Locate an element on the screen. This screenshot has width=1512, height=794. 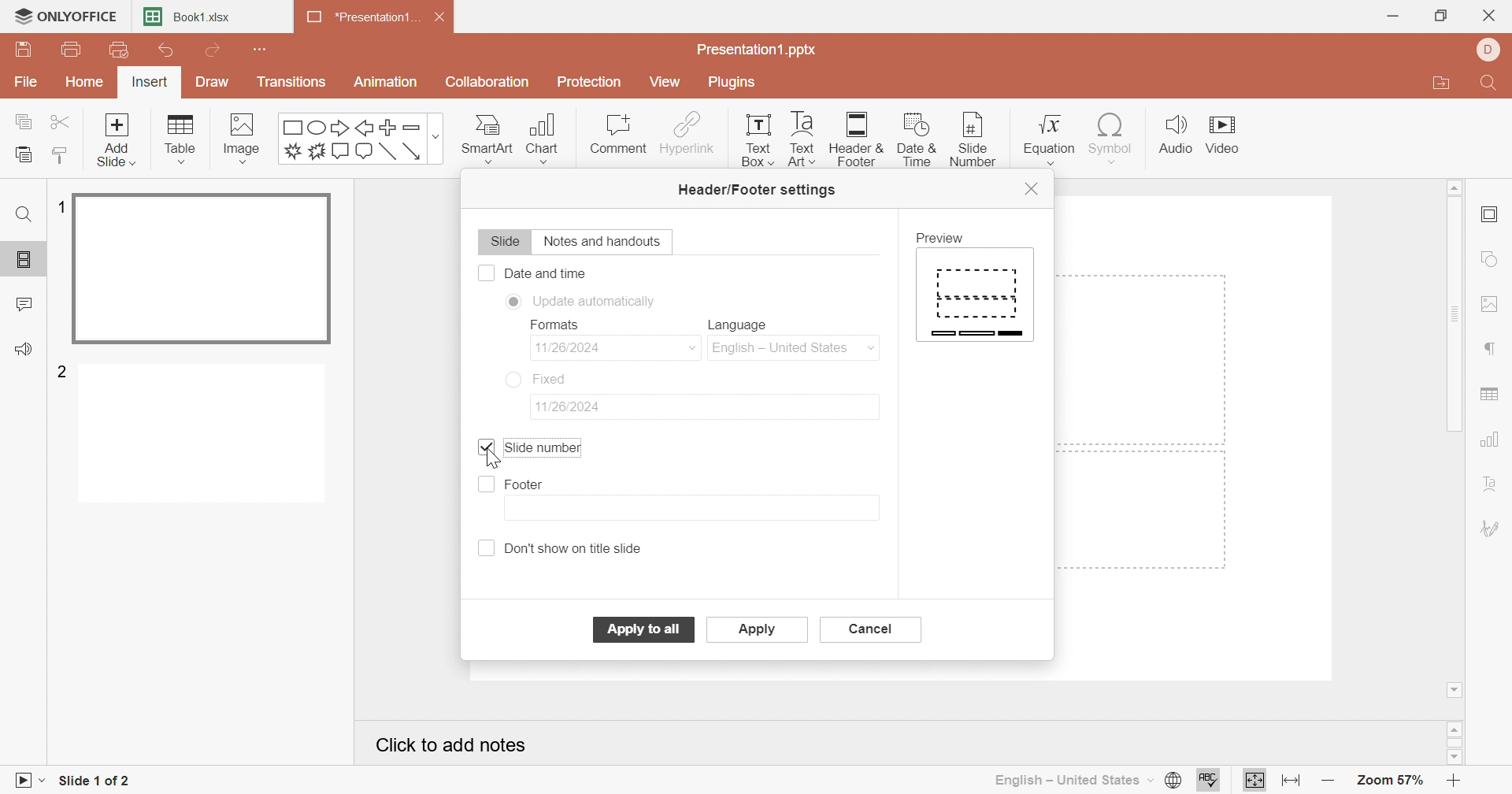
Scroll Bar is located at coordinates (1458, 743).